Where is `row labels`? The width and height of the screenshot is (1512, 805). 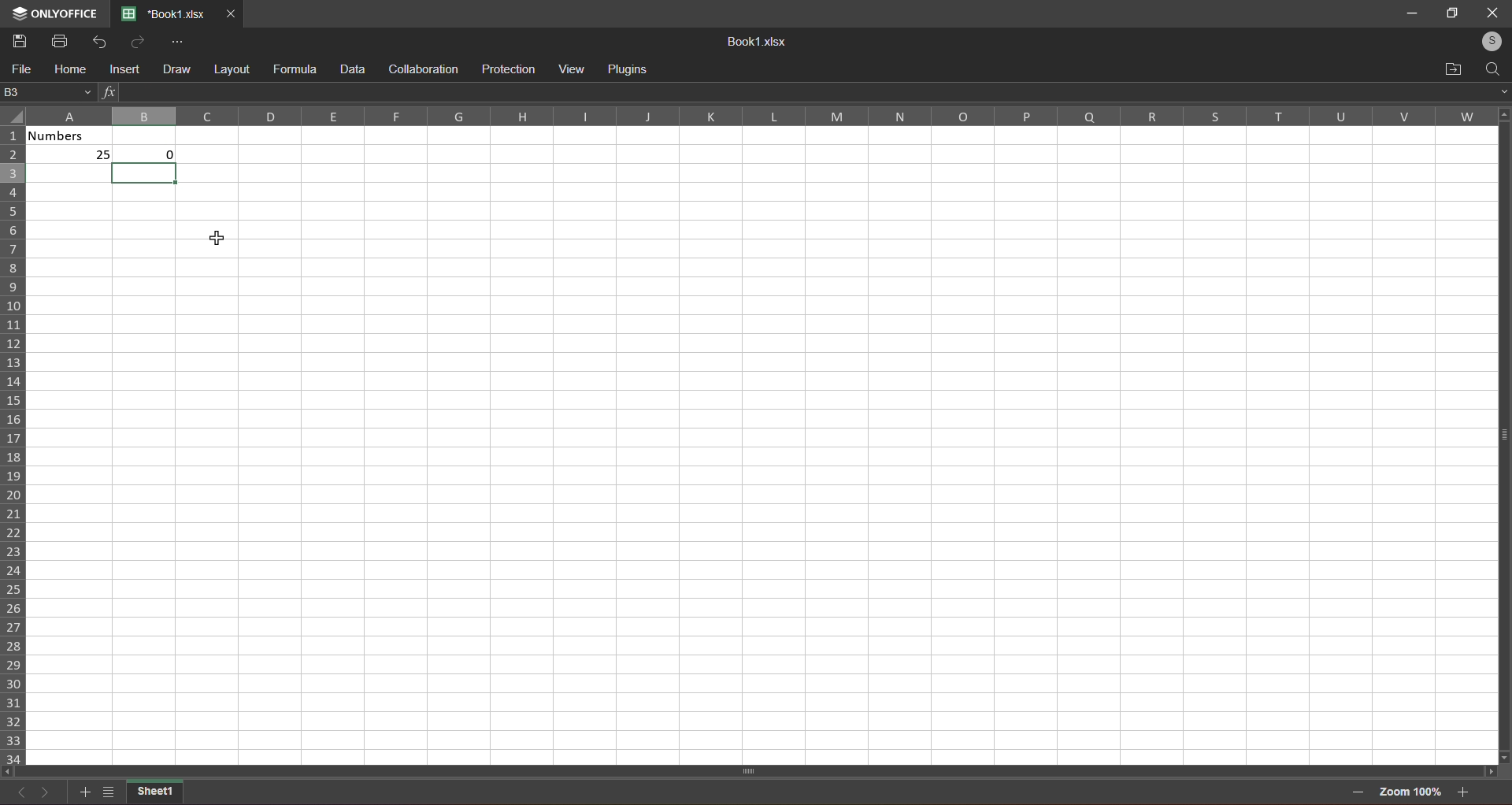 row labels is located at coordinates (14, 443).